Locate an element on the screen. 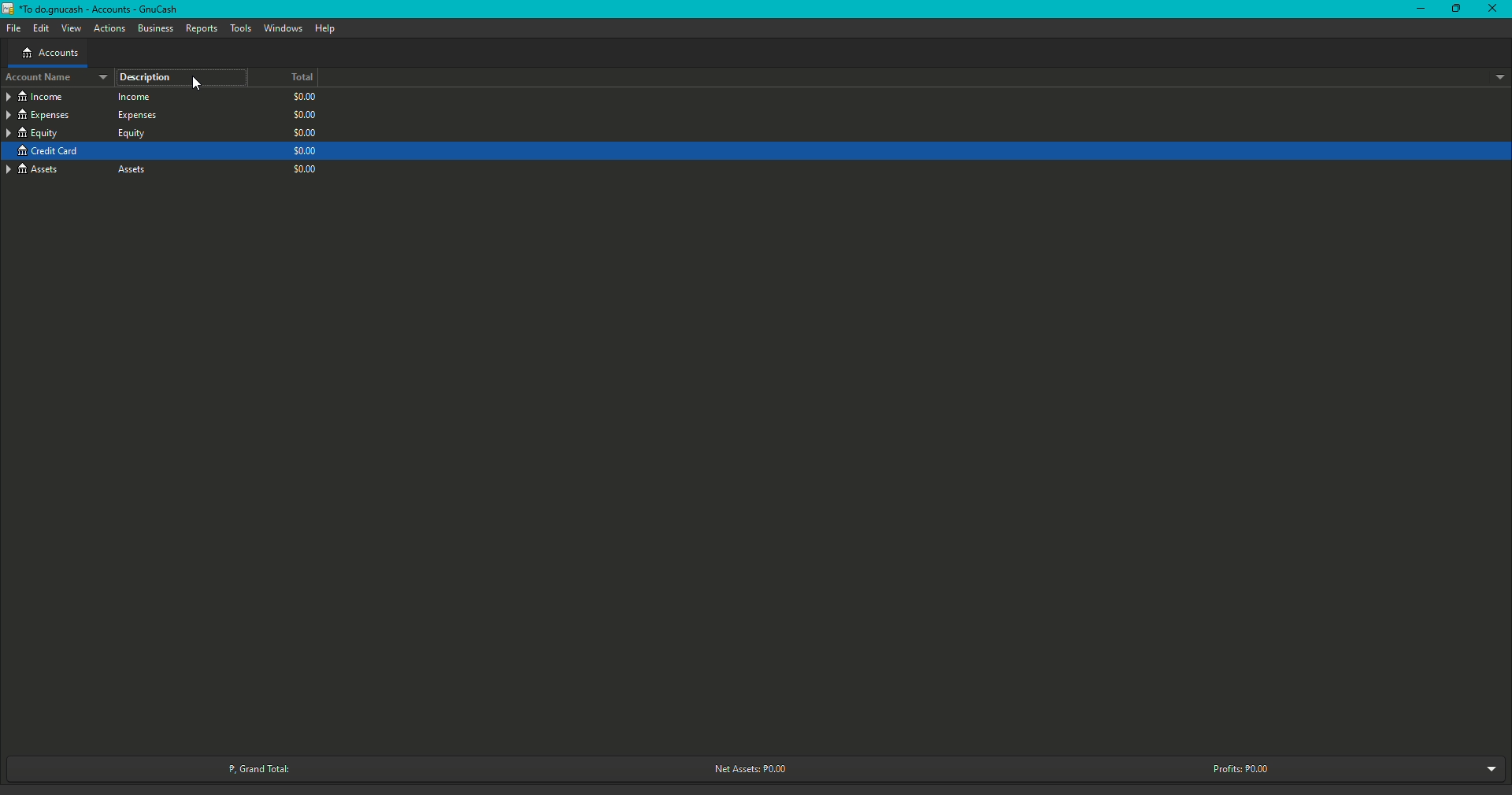  Help is located at coordinates (324, 29).